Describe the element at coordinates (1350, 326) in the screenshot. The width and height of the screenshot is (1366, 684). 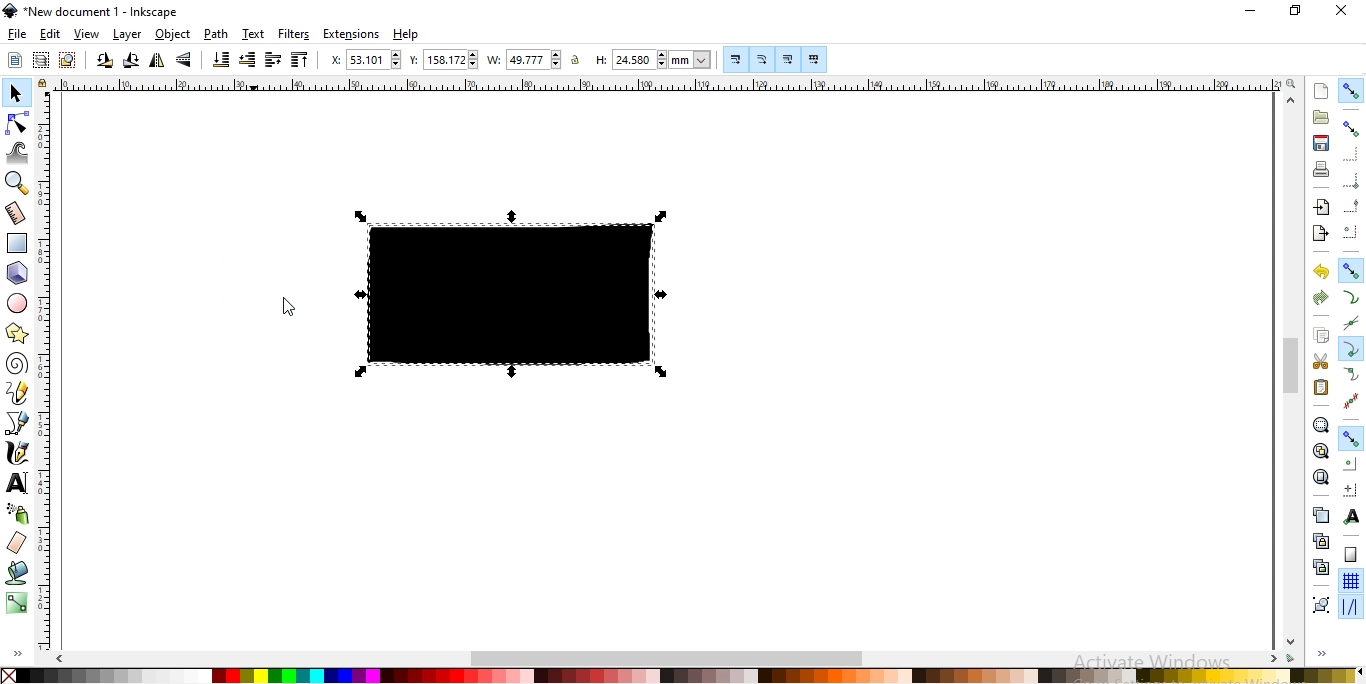
I see `snap to path intersection` at that location.